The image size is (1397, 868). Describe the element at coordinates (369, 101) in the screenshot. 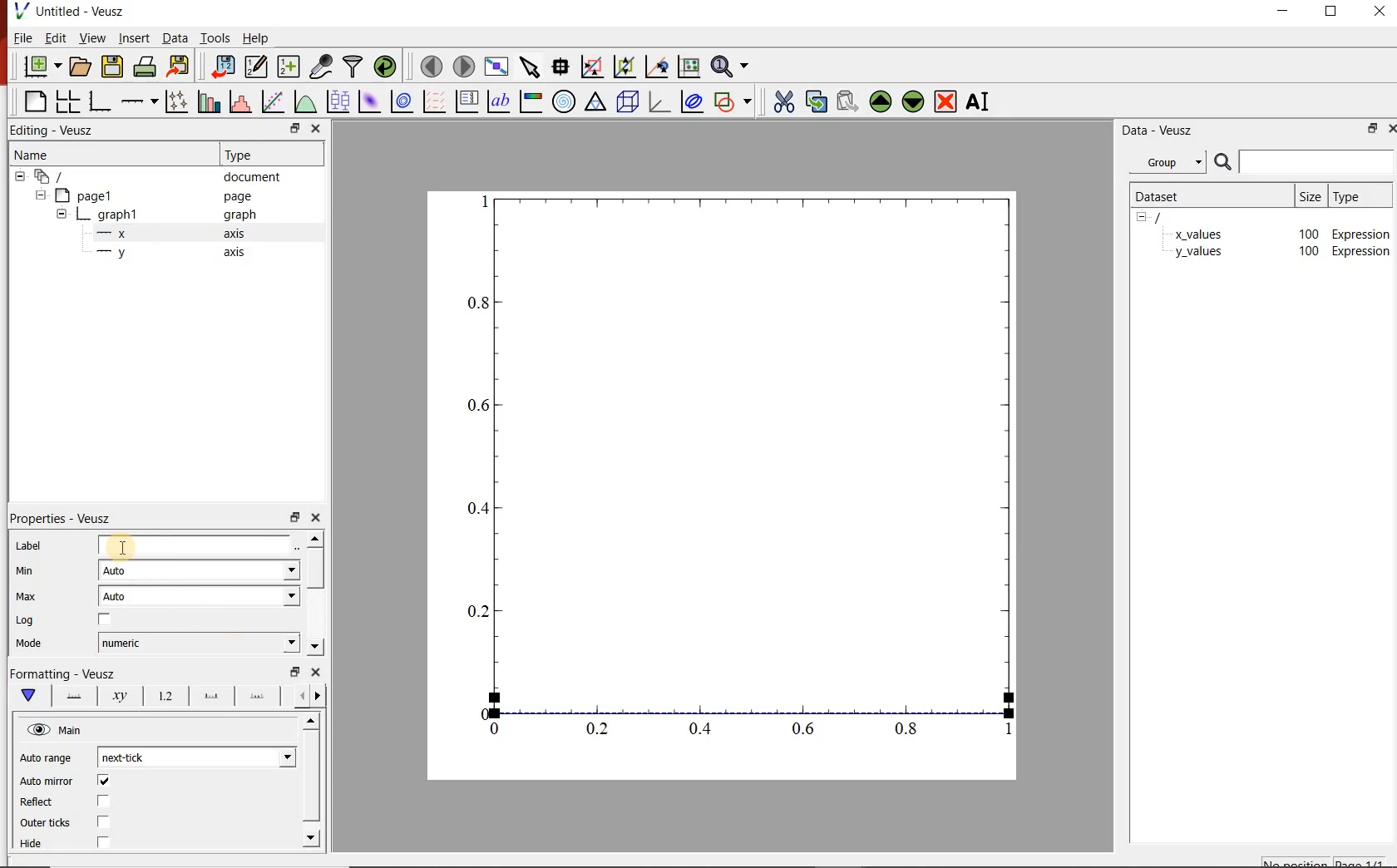

I see `plot 2d dataset as an image` at that location.